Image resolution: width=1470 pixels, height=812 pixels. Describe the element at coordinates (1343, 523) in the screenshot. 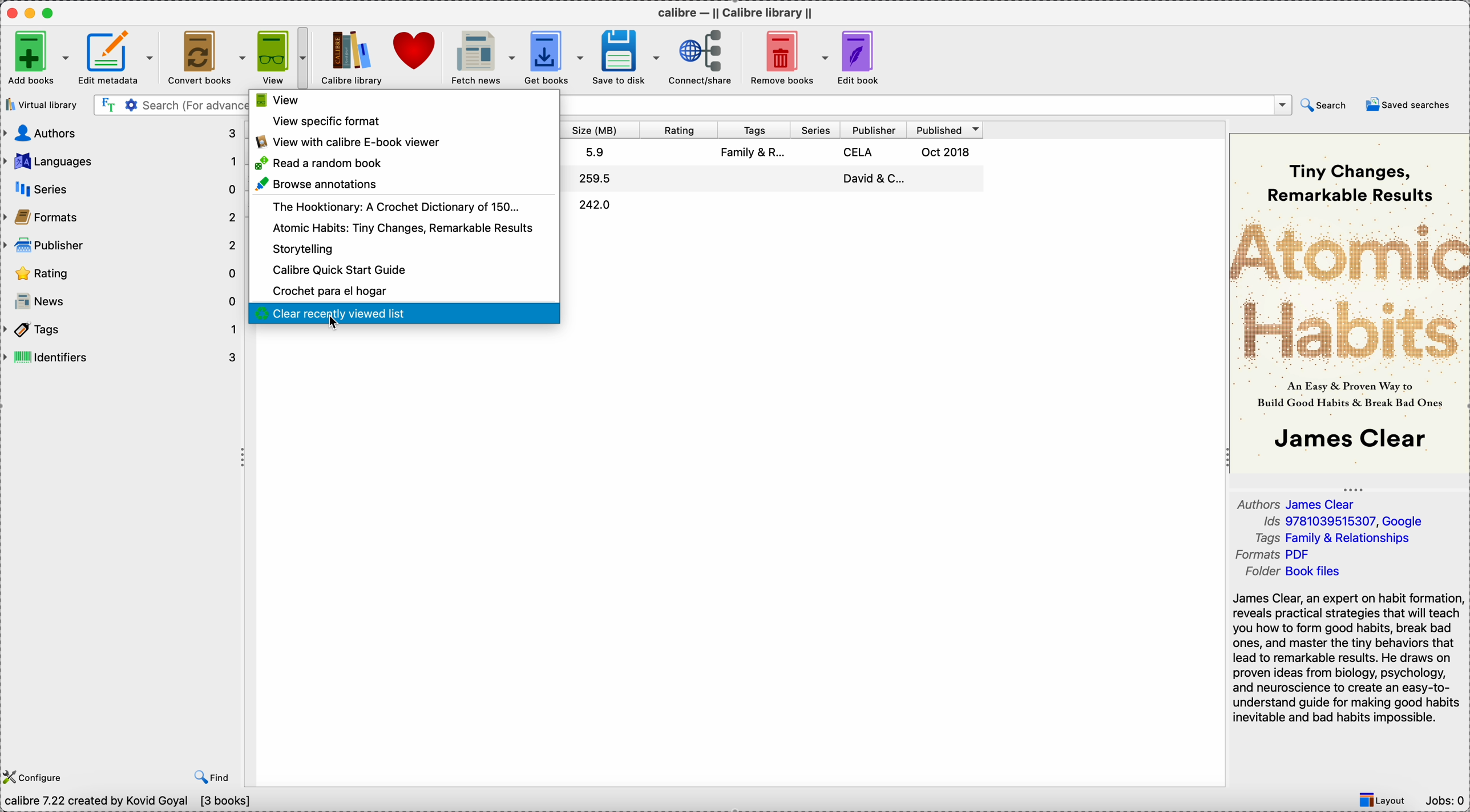

I see `Ids 9781039515307, Google` at that location.